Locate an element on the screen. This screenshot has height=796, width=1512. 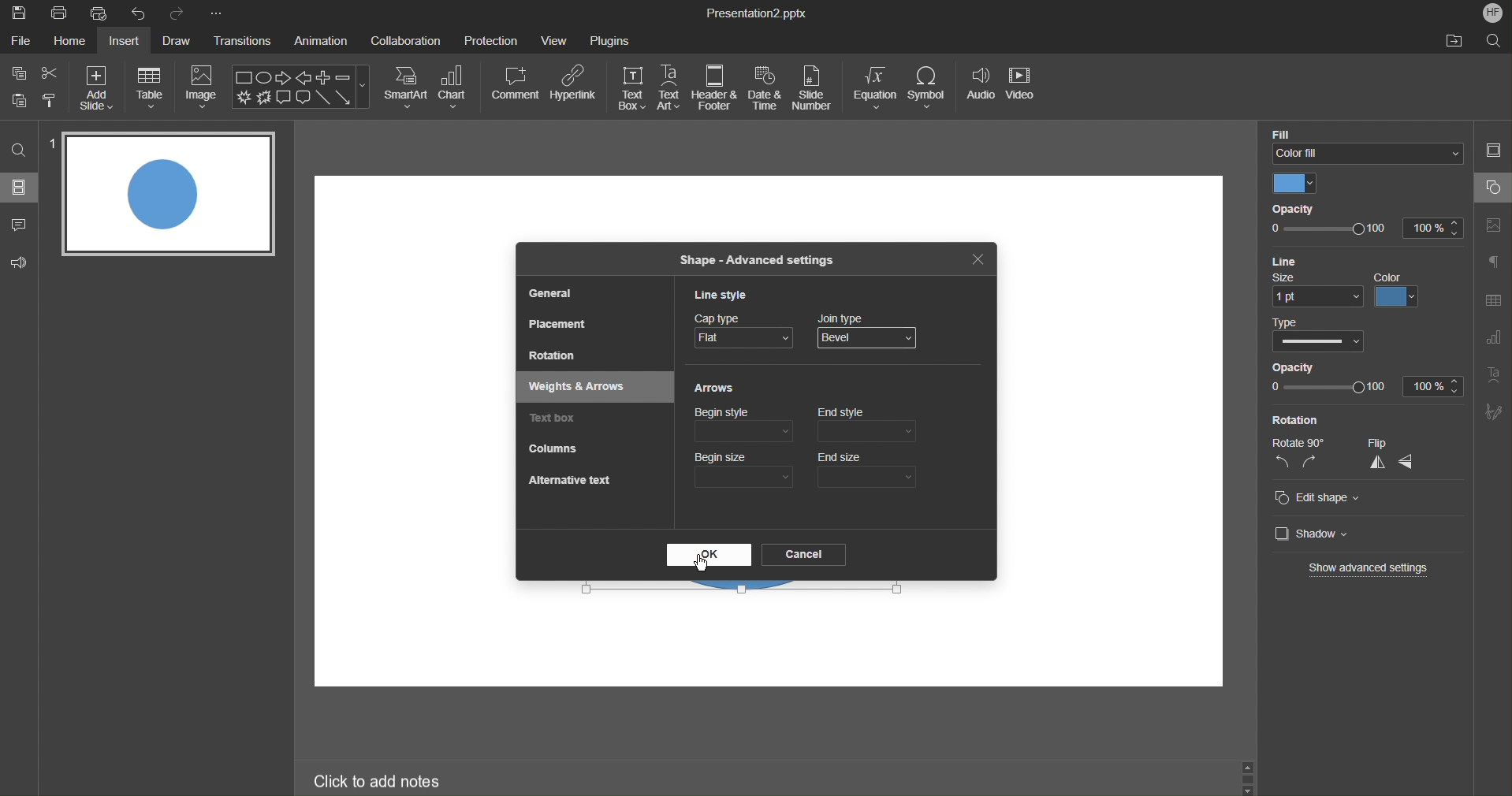
Chart is located at coordinates (455, 87).